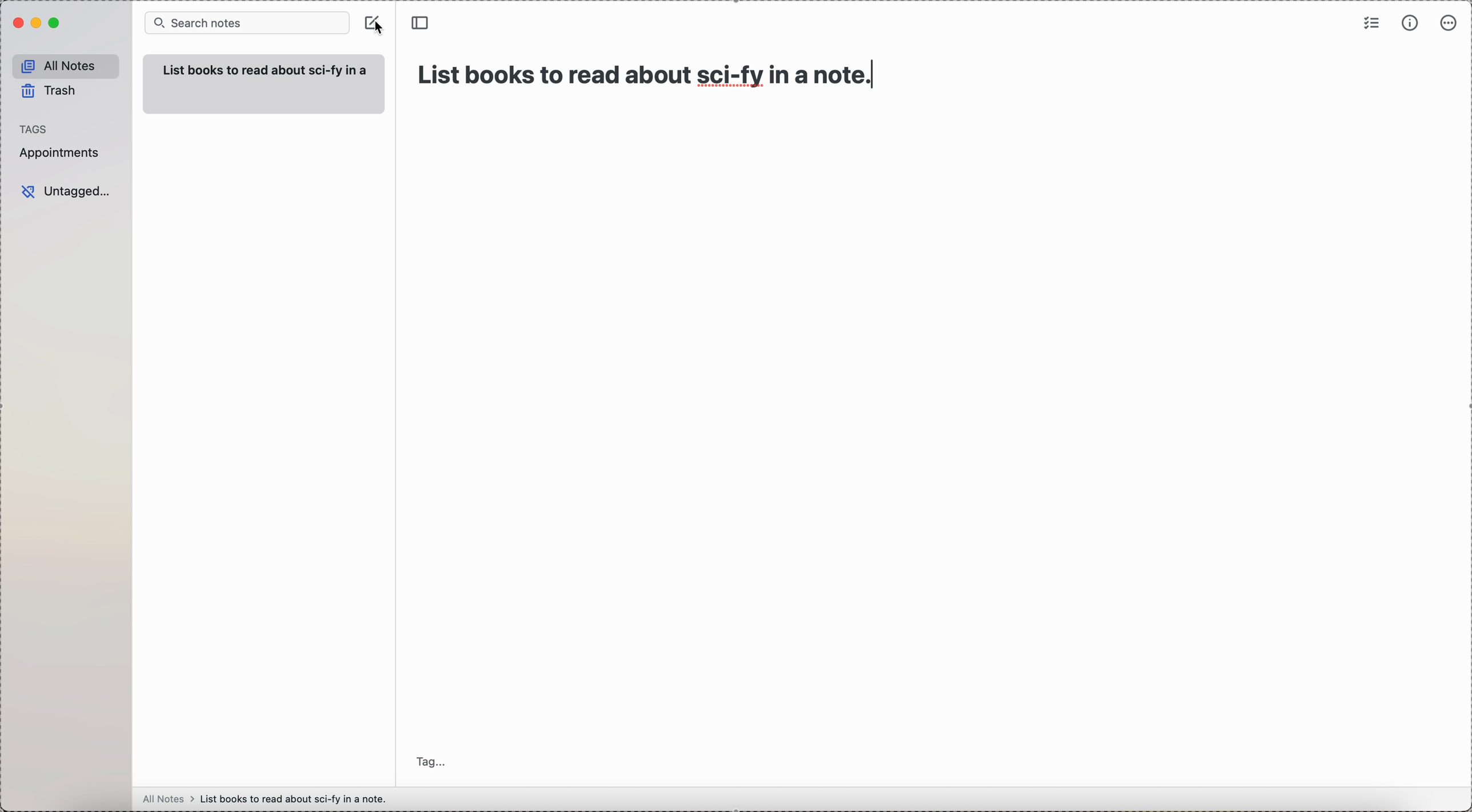 The height and width of the screenshot is (812, 1472). Describe the element at coordinates (16, 23) in the screenshot. I see `close Simplenote` at that location.